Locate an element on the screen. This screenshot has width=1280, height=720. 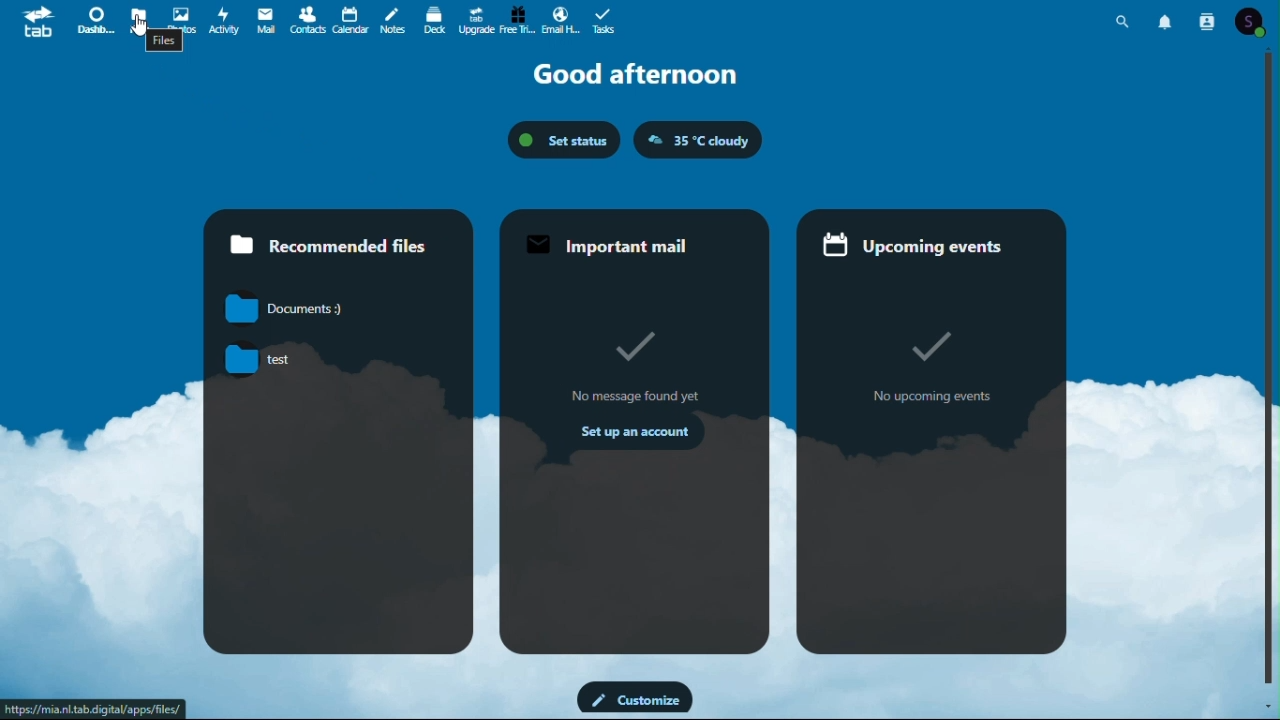
tab is located at coordinates (38, 21).